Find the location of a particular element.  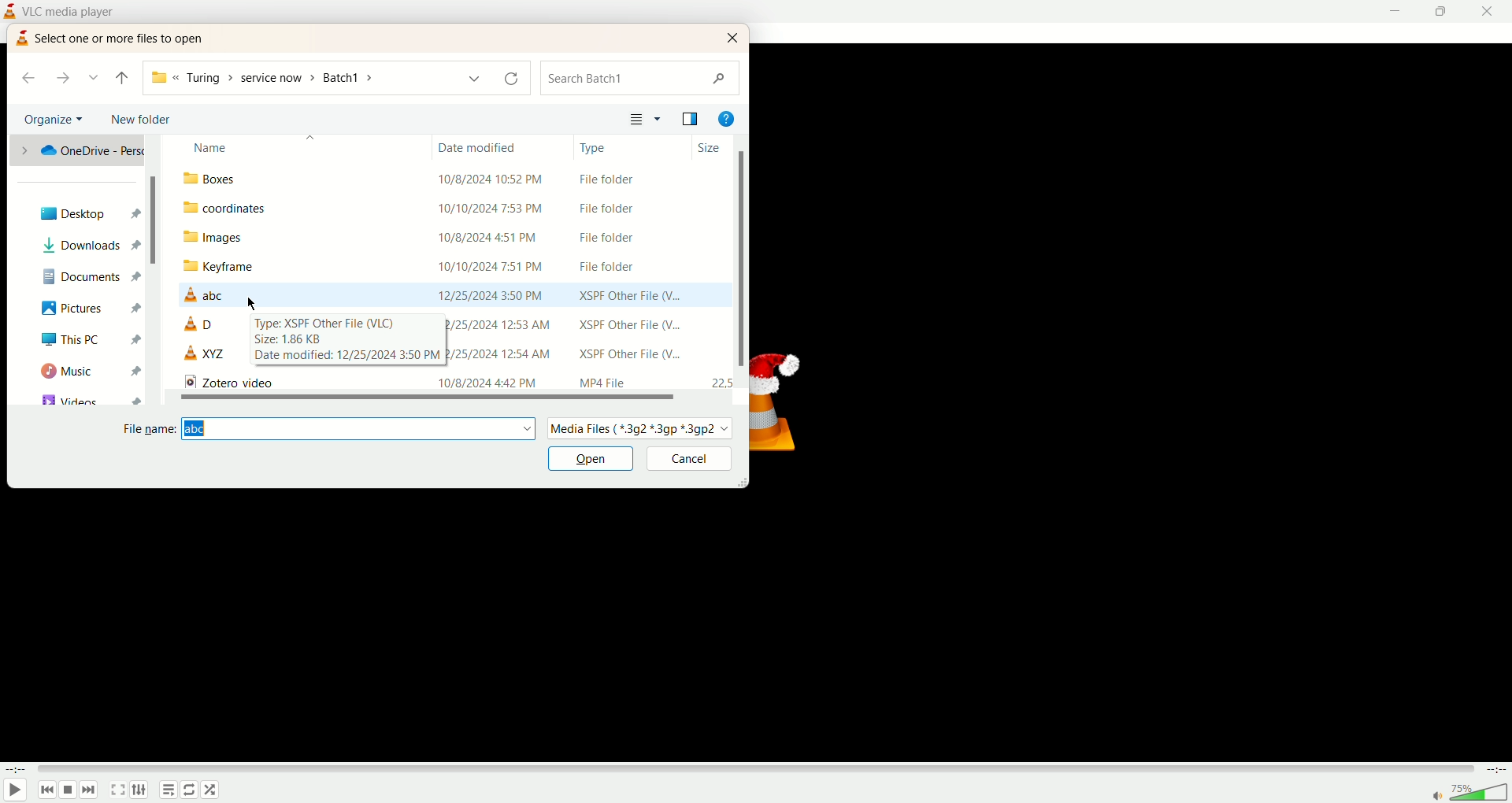

stop is located at coordinates (69, 790).